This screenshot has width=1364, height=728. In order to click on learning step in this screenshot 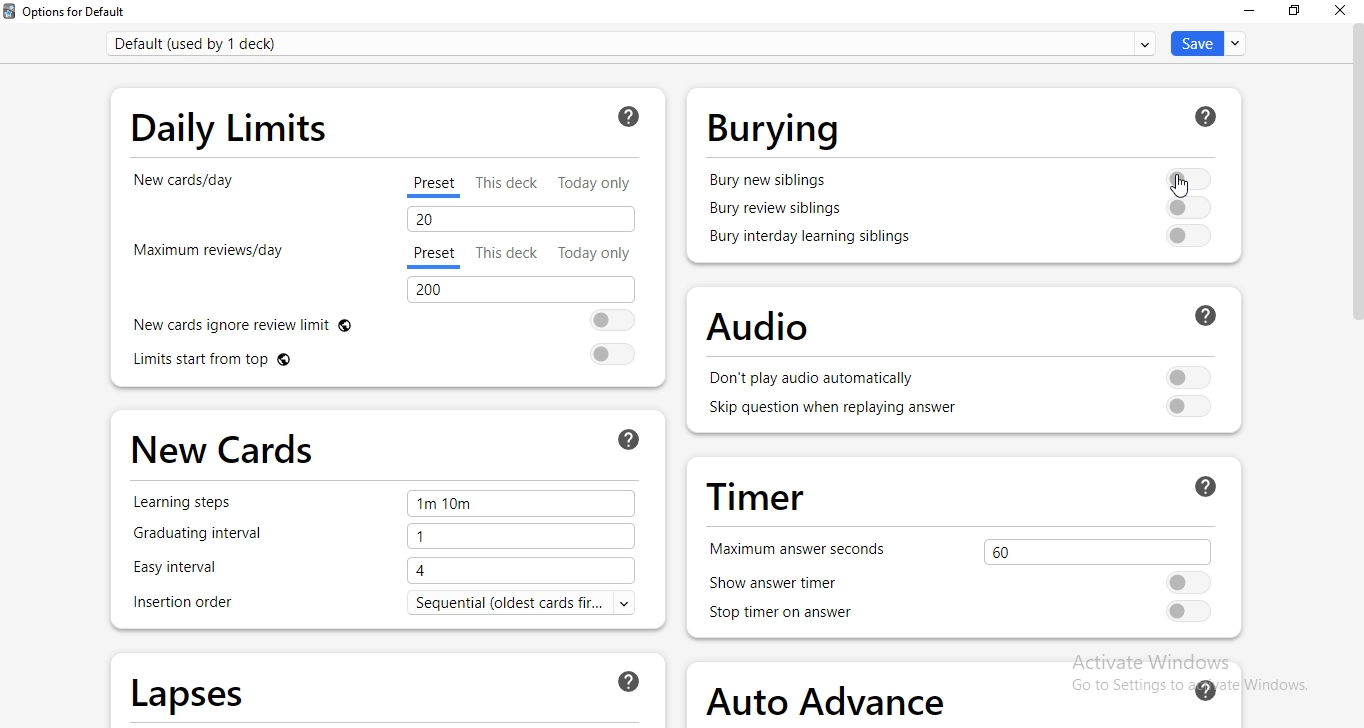, I will do `click(190, 502)`.